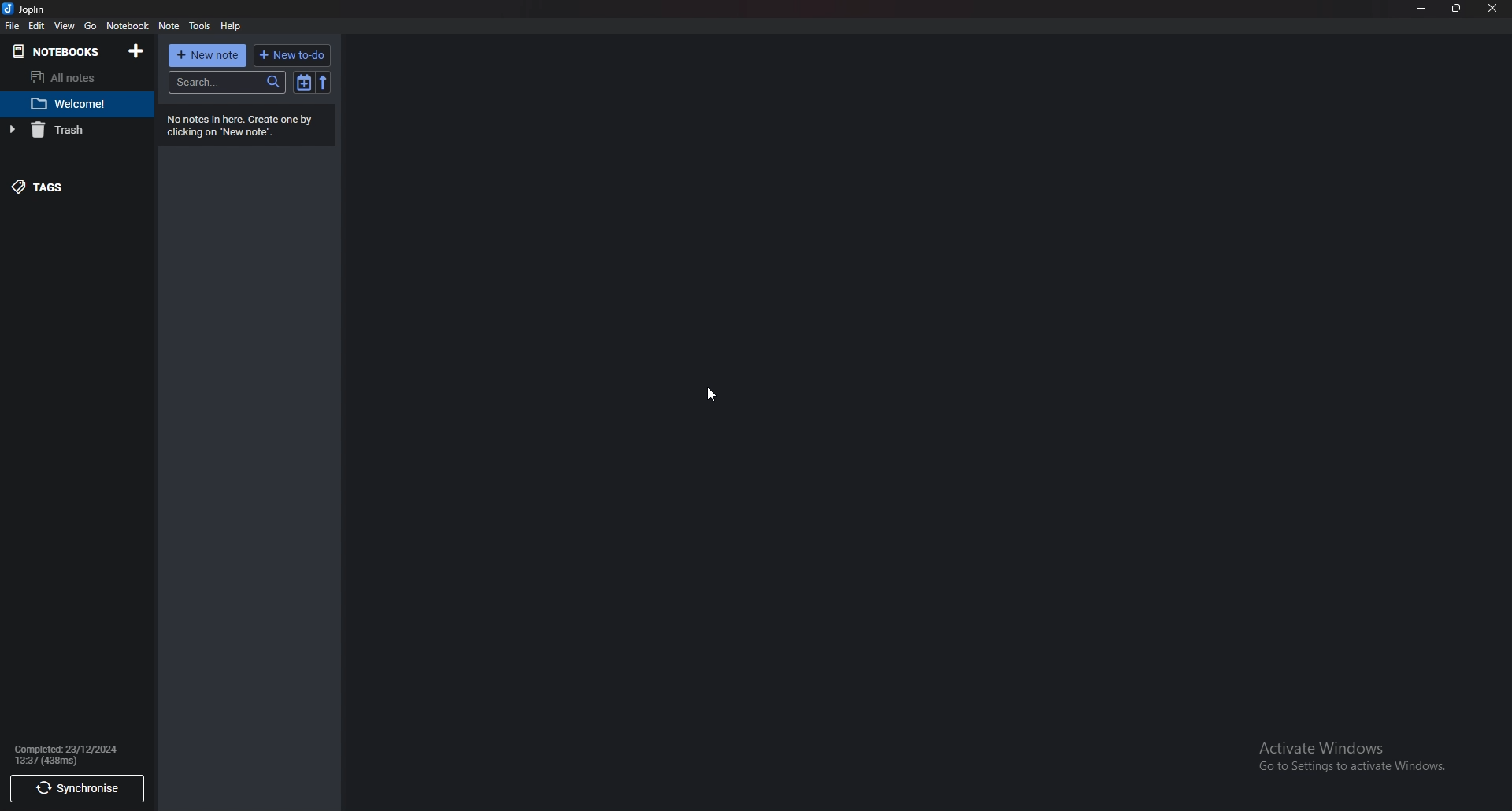 The image size is (1512, 811). What do you see at coordinates (205, 55) in the screenshot?
I see `New note` at bounding box center [205, 55].